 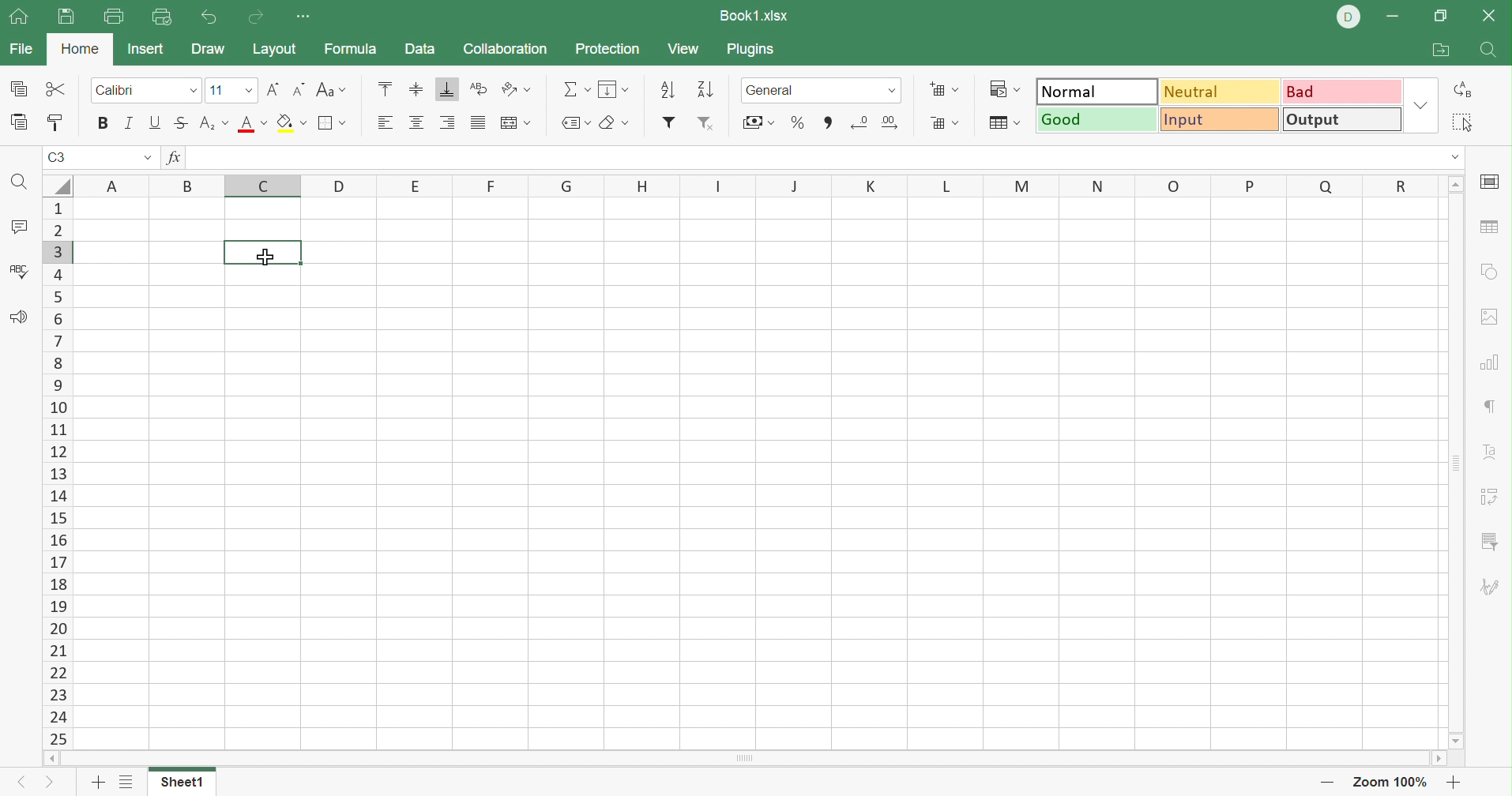 What do you see at coordinates (274, 50) in the screenshot?
I see `Layout` at bounding box center [274, 50].